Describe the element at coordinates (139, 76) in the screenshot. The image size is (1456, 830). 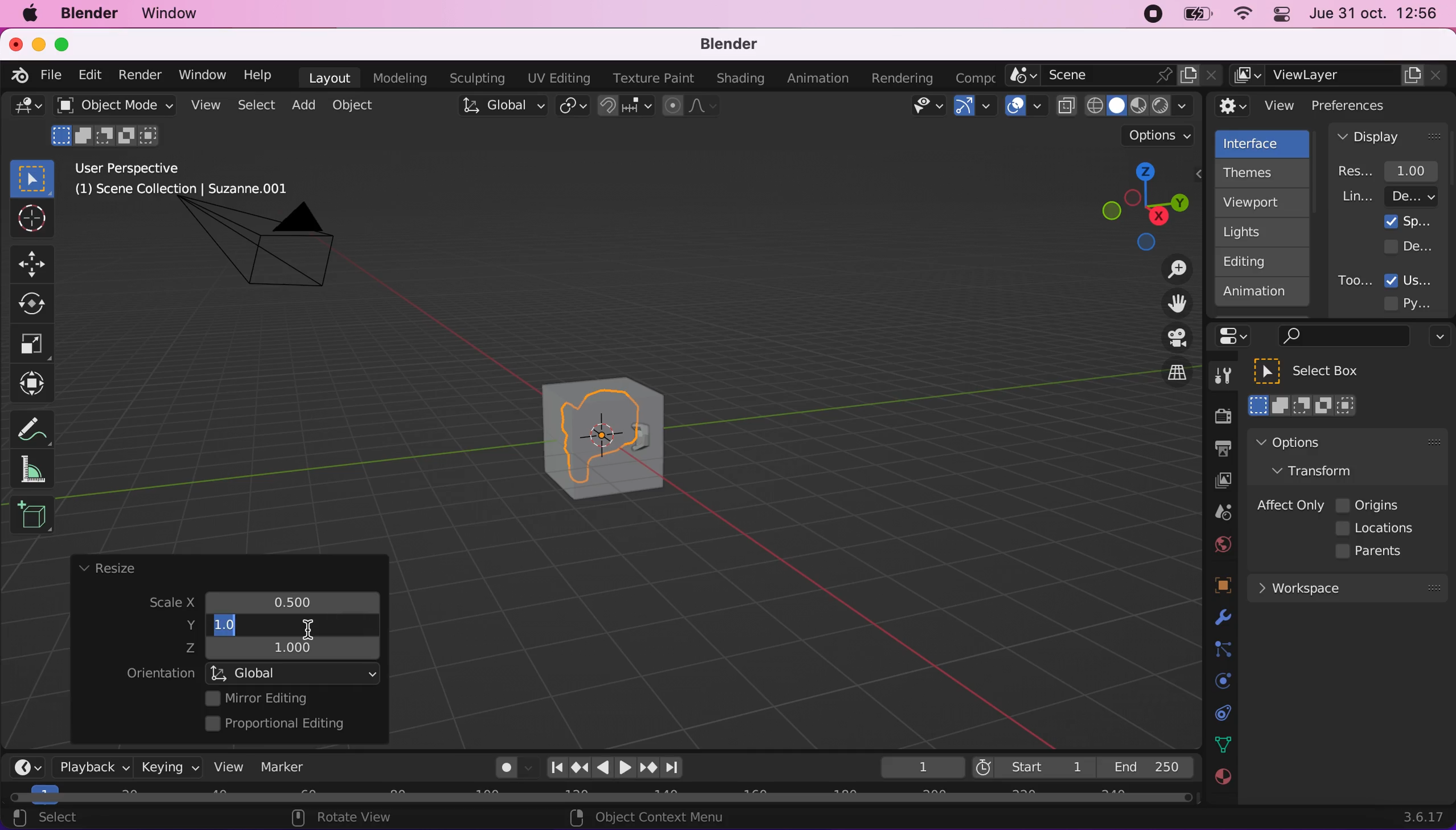
I see `render` at that location.